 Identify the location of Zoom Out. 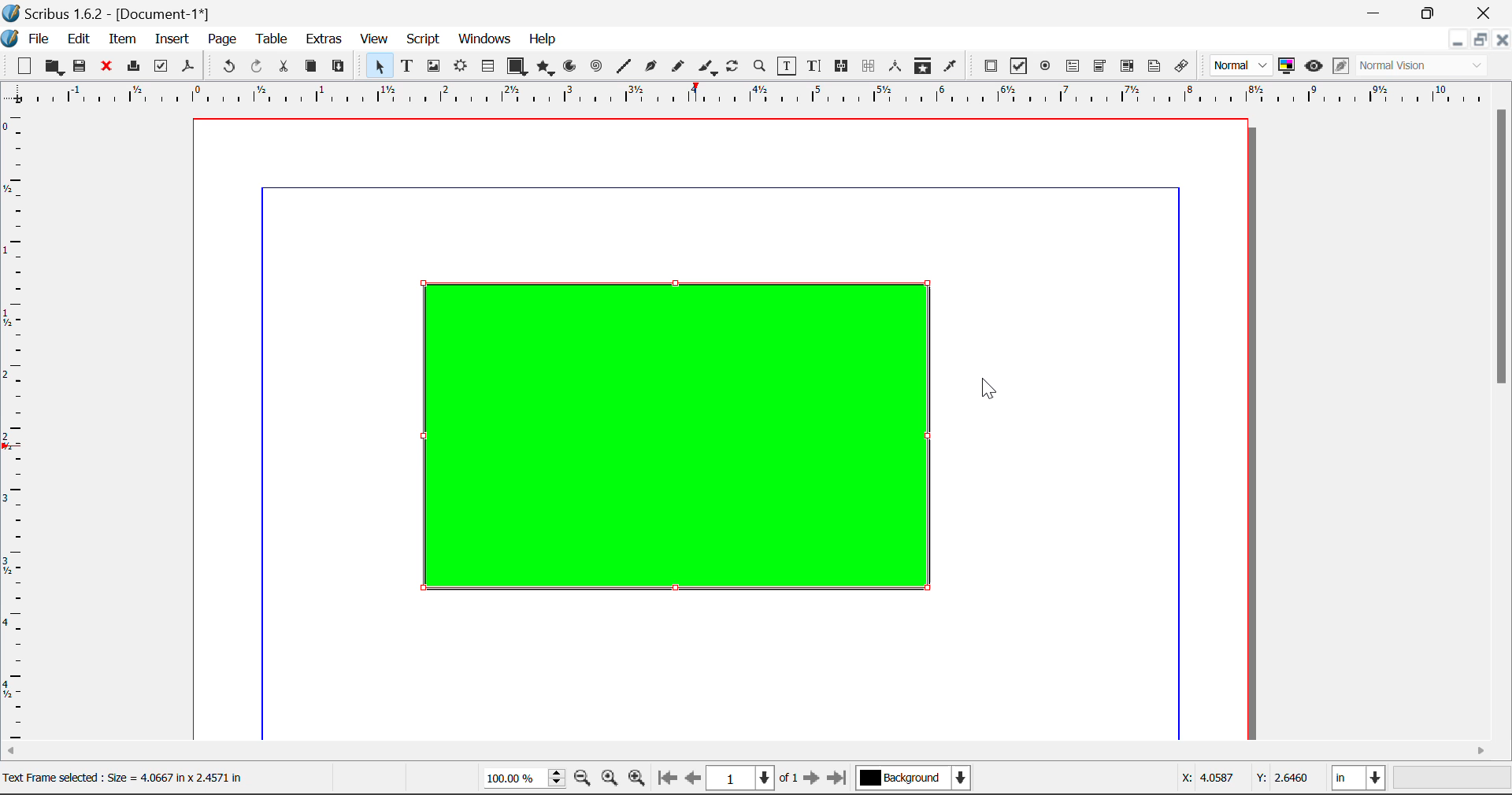
(584, 780).